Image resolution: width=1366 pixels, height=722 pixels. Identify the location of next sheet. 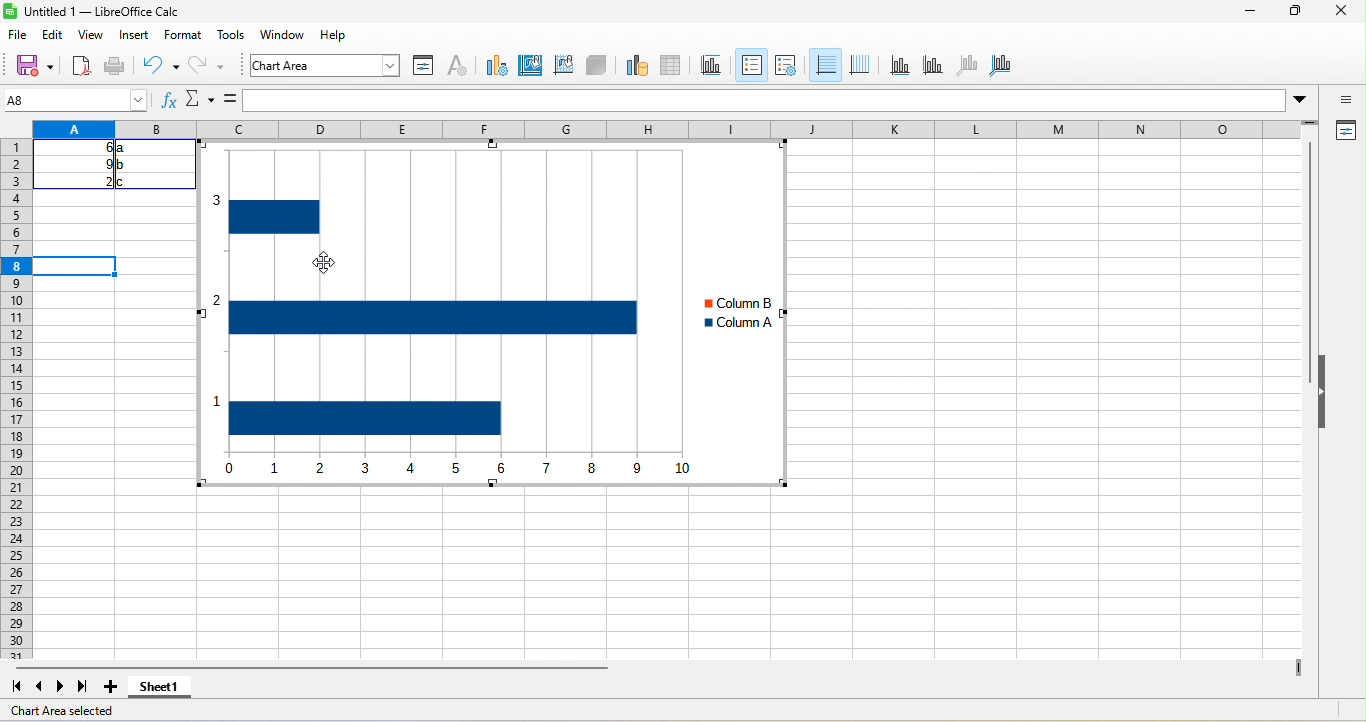
(59, 688).